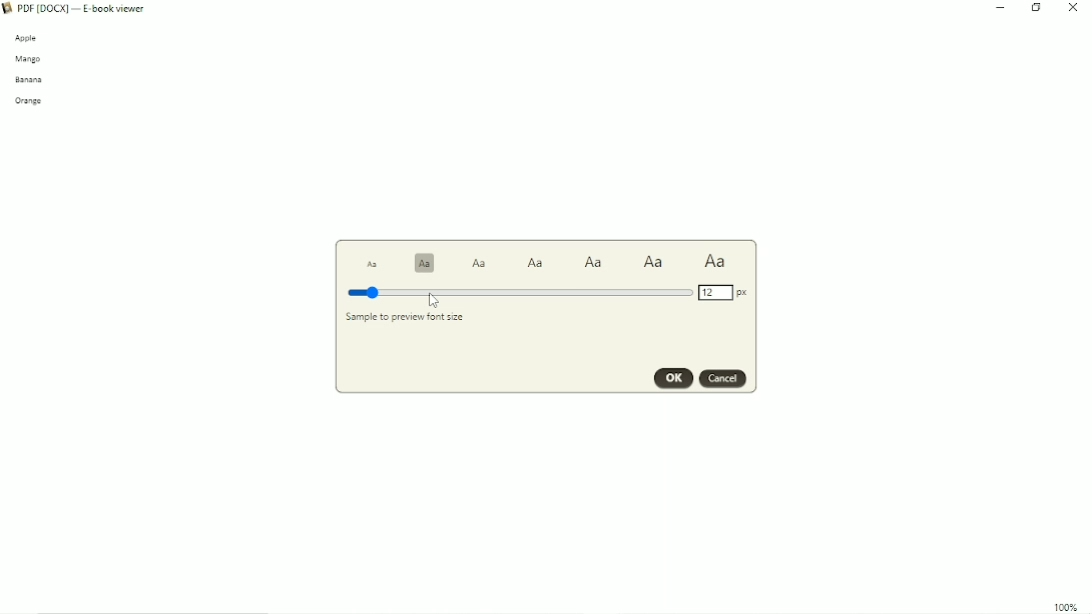 The image size is (1092, 614). What do you see at coordinates (31, 101) in the screenshot?
I see `orange` at bounding box center [31, 101].